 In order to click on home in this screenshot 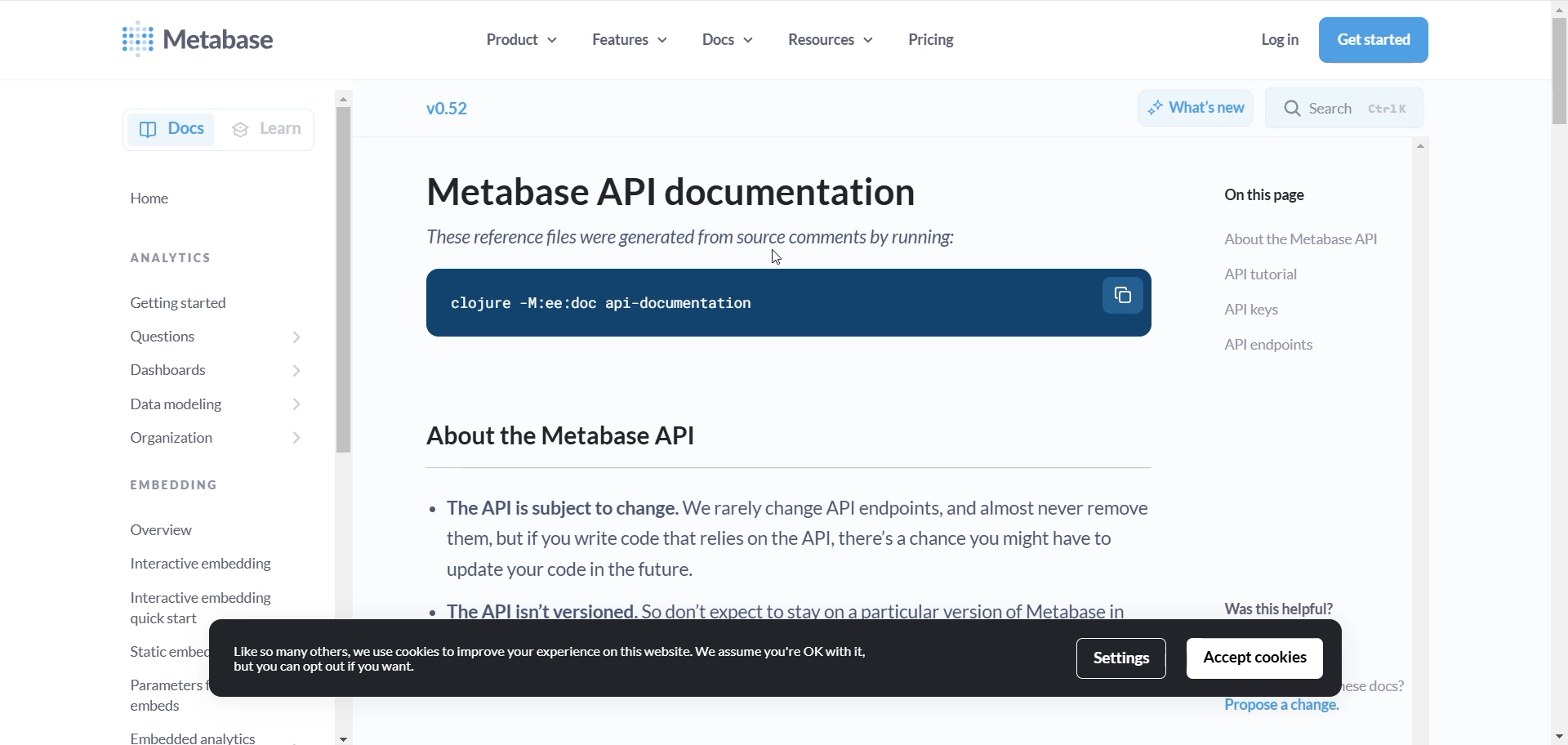, I will do `click(192, 201)`.